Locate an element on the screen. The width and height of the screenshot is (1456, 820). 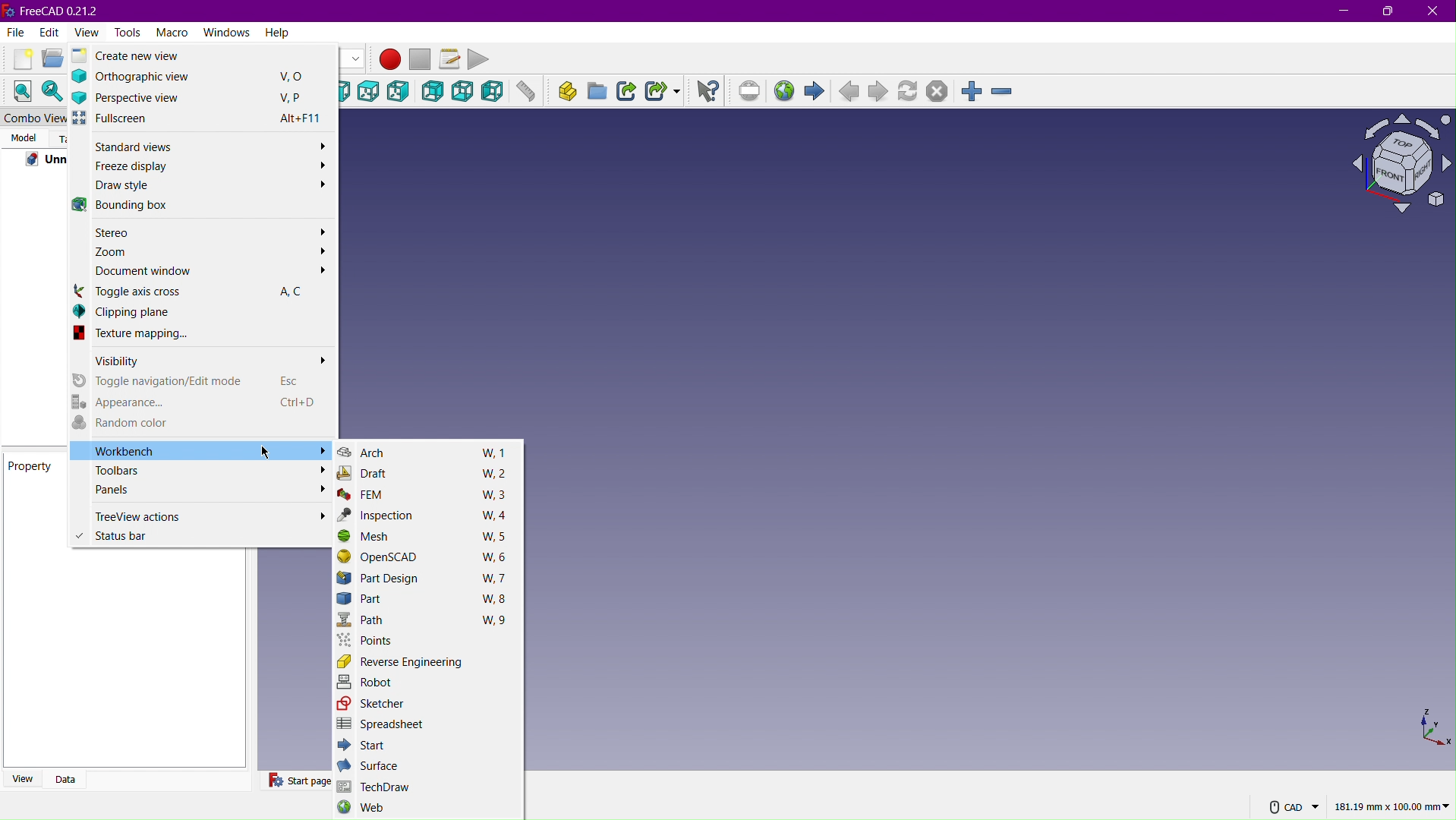
Maximize is located at coordinates (1387, 11).